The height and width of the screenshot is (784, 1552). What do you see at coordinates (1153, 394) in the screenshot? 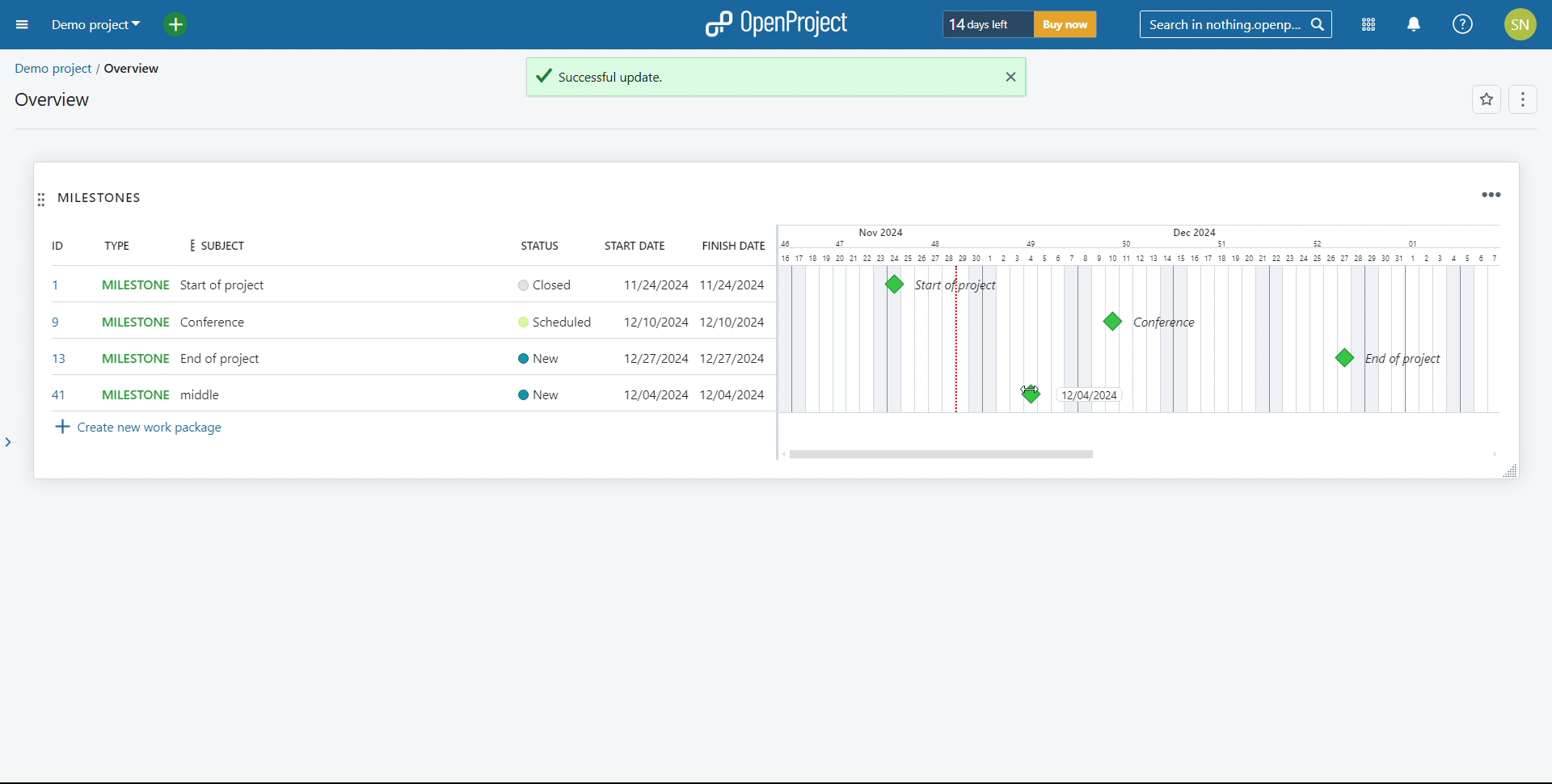
I see `milestone 41` at bounding box center [1153, 394].